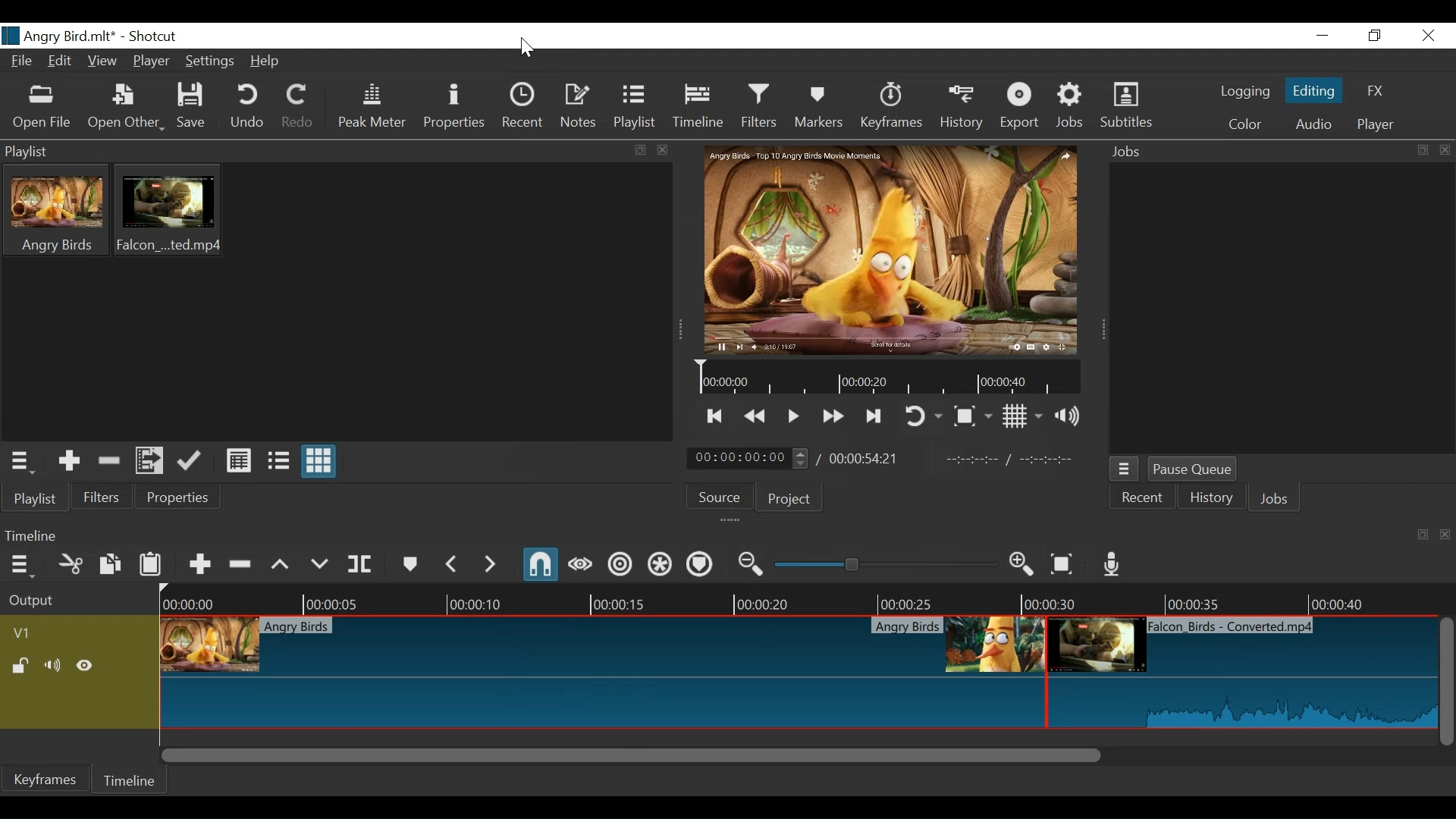 This screenshot has height=819, width=1456. I want to click on Record audio, so click(1113, 564).